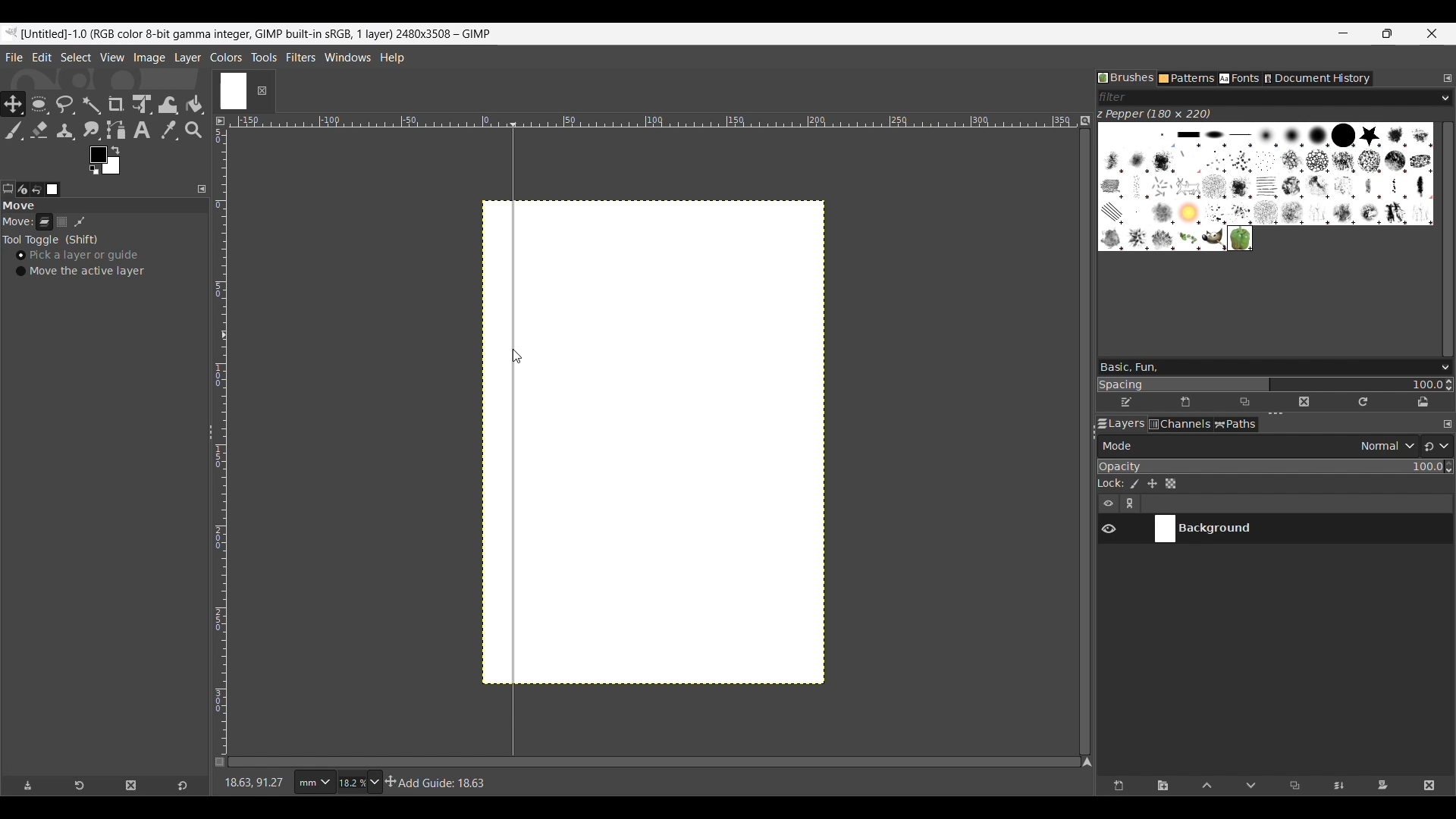  What do you see at coordinates (14, 58) in the screenshot?
I see `File menu` at bounding box center [14, 58].